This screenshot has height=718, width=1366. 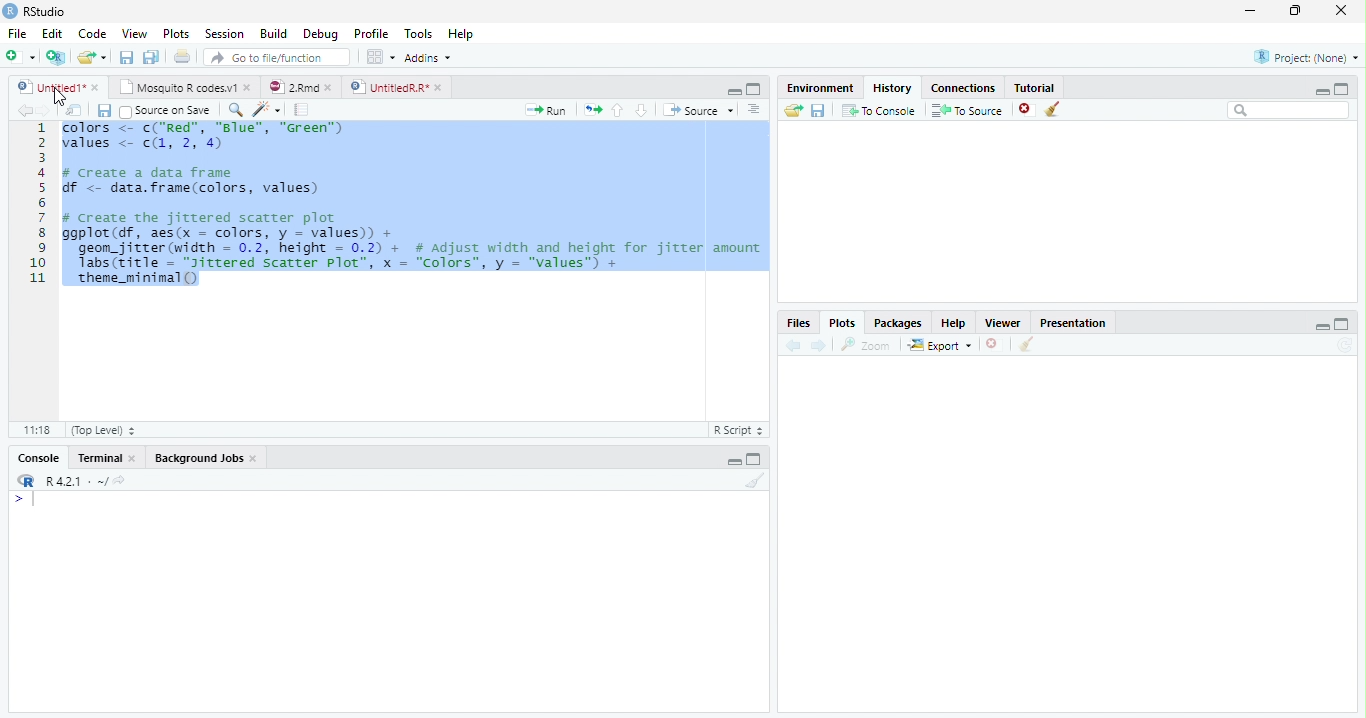 What do you see at coordinates (1290, 110) in the screenshot?
I see `Search bar` at bounding box center [1290, 110].